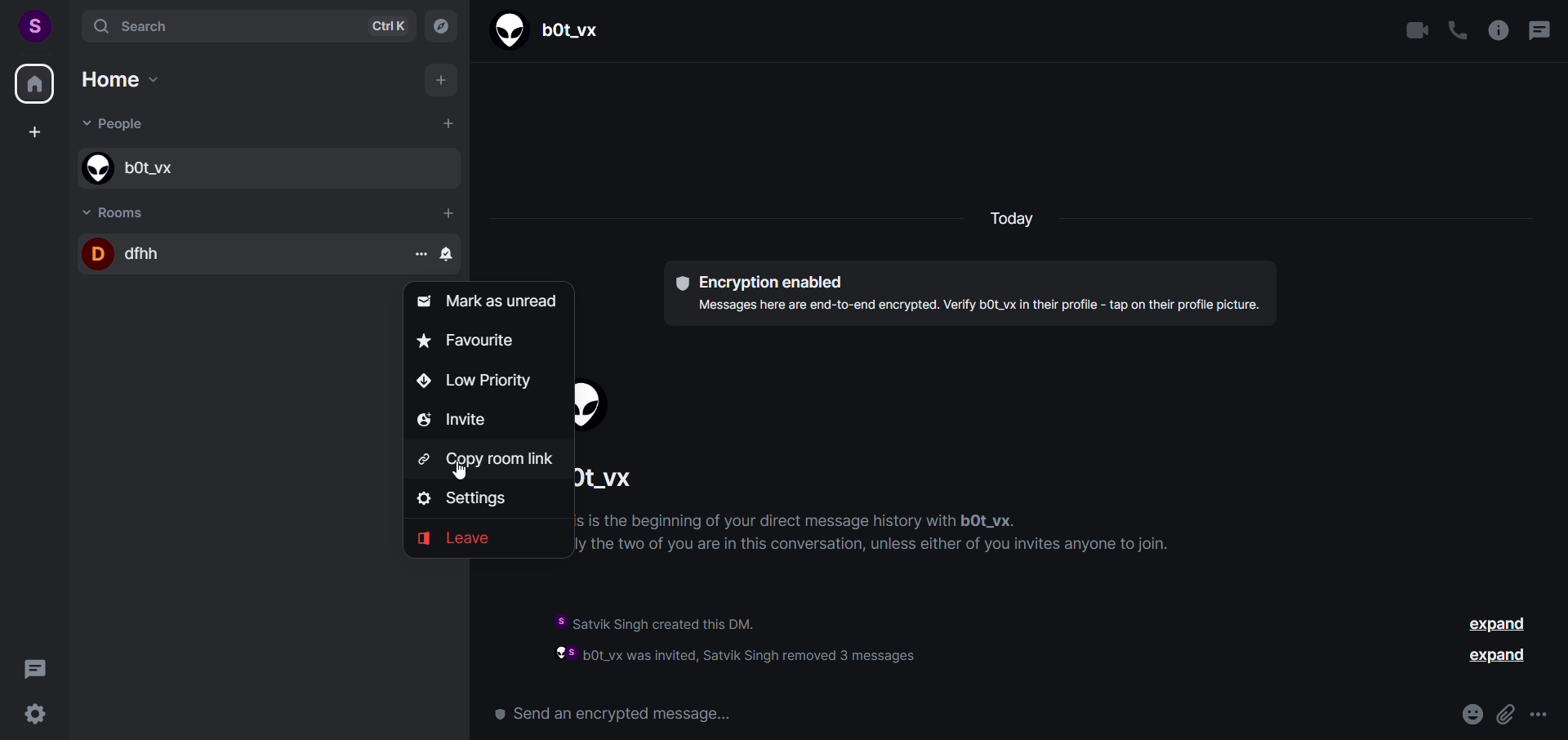 This screenshot has height=740, width=1568. What do you see at coordinates (449, 213) in the screenshot?
I see `add room` at bounding box center [449, 213].